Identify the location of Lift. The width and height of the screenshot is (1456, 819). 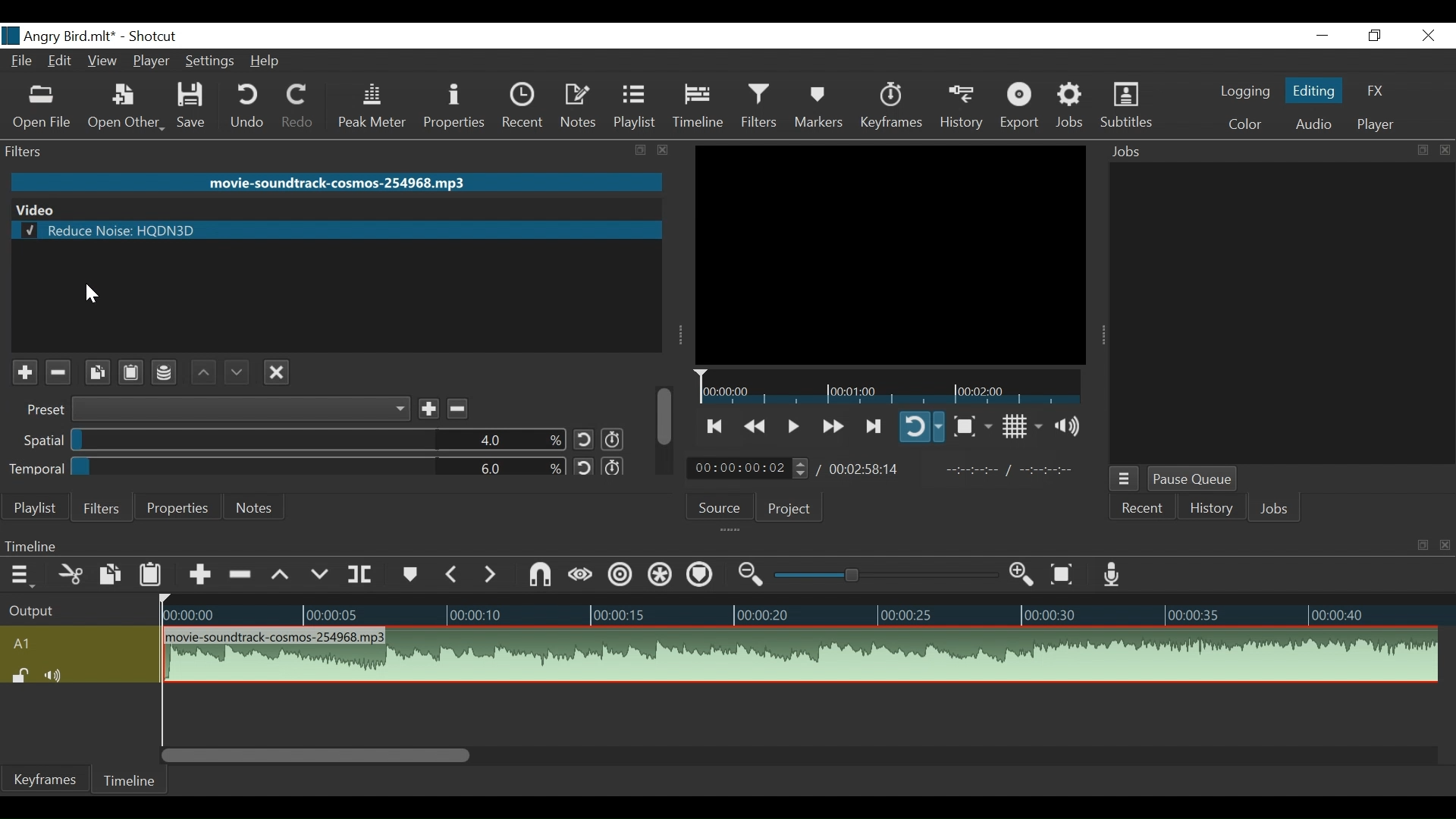
(281, 575).